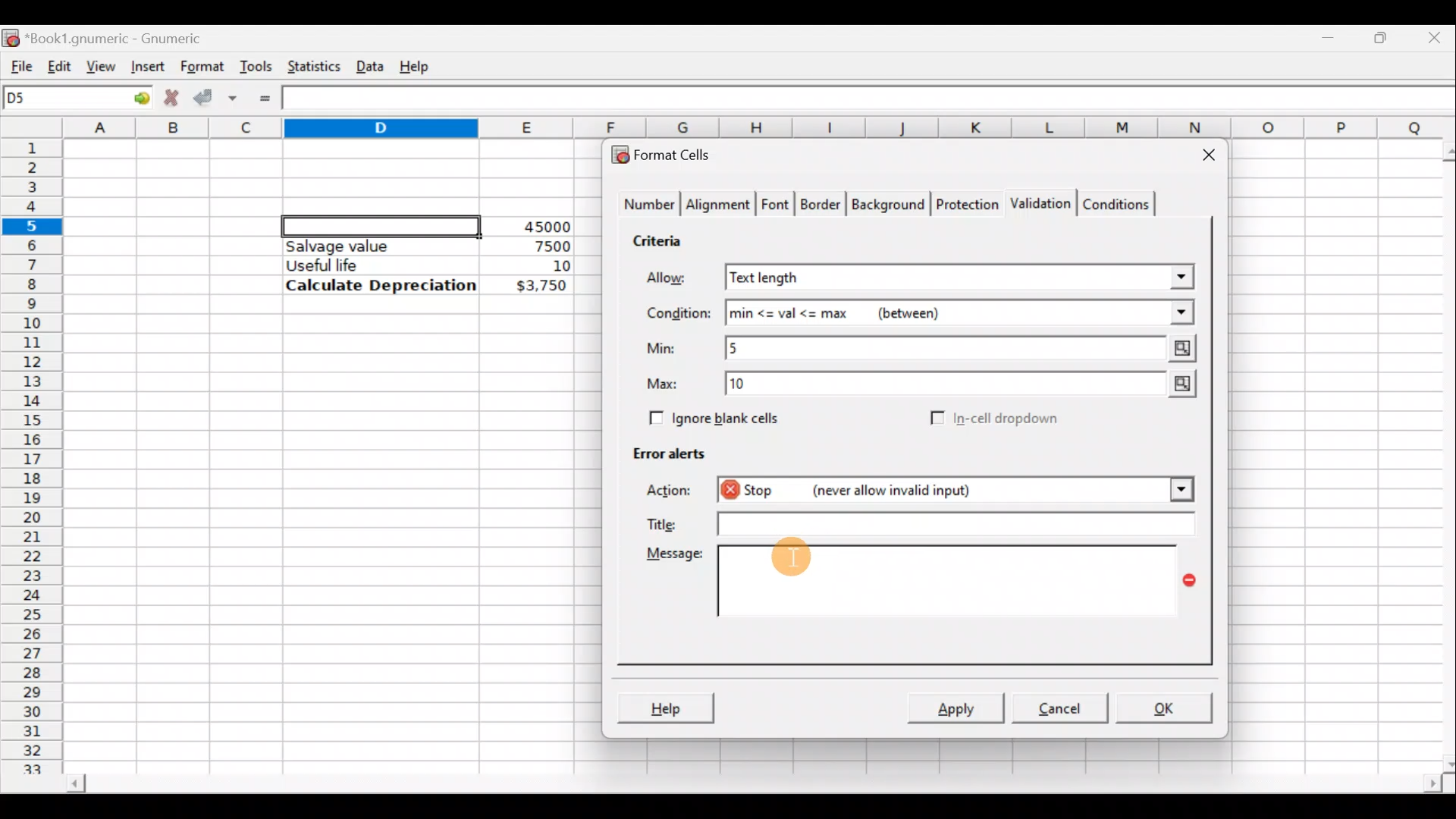  What do you see at coordinates (381, 224) in the screenshot?
I see `Selected cell` at bounding box center [381, 224].